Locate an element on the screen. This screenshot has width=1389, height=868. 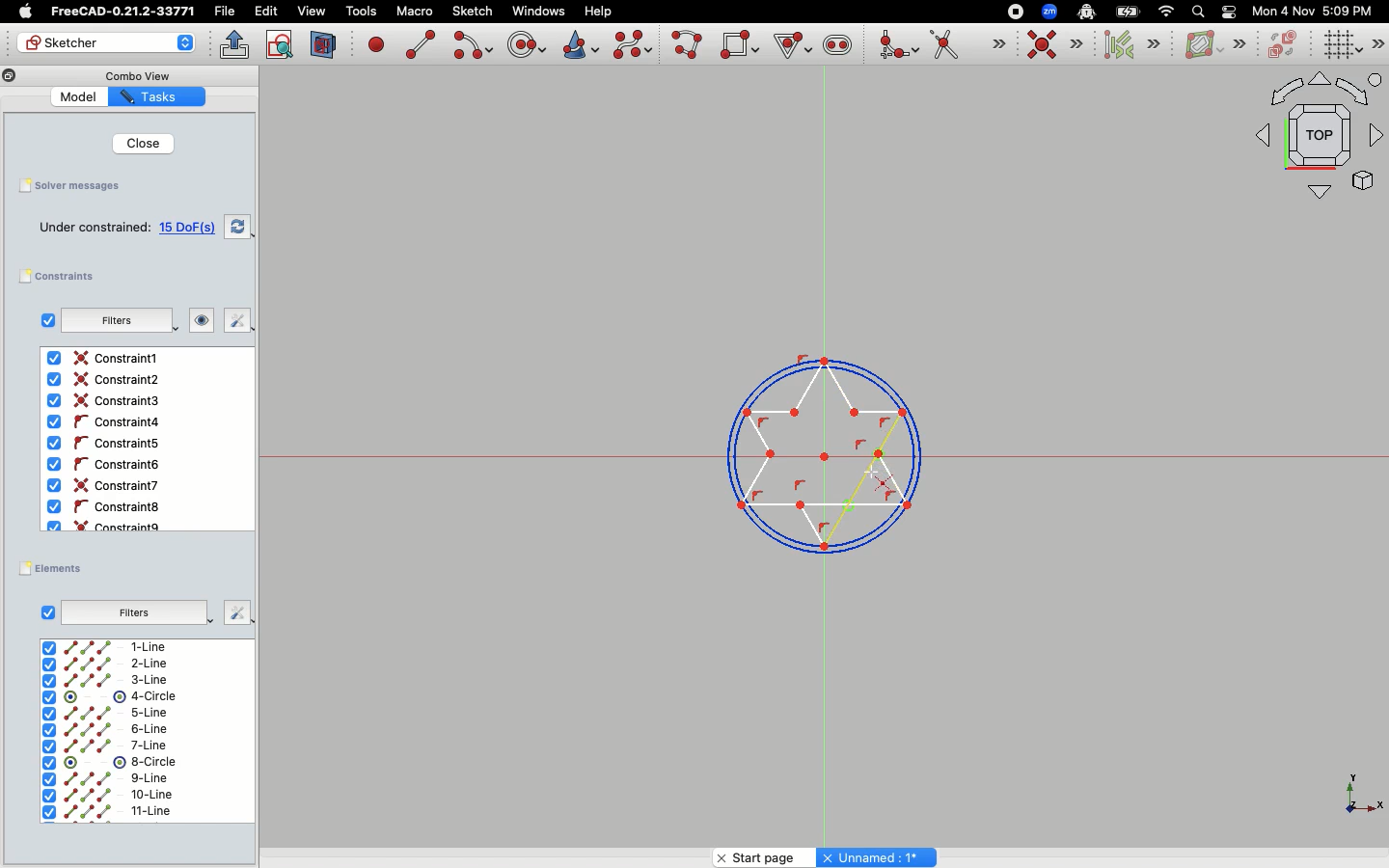
8-circle is located at coordinates (121, 762).